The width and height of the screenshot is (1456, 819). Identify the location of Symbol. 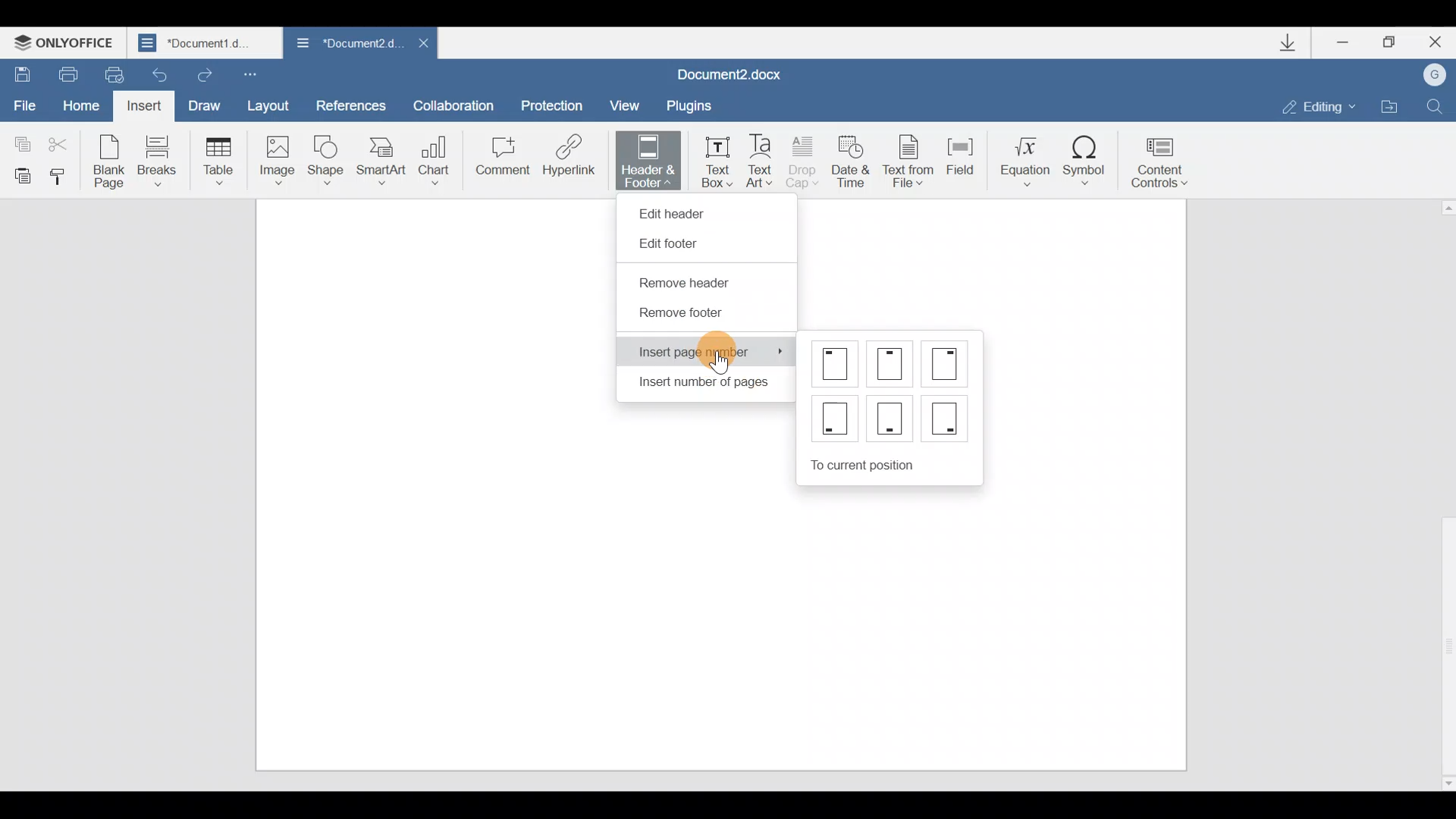
(1090, 155).